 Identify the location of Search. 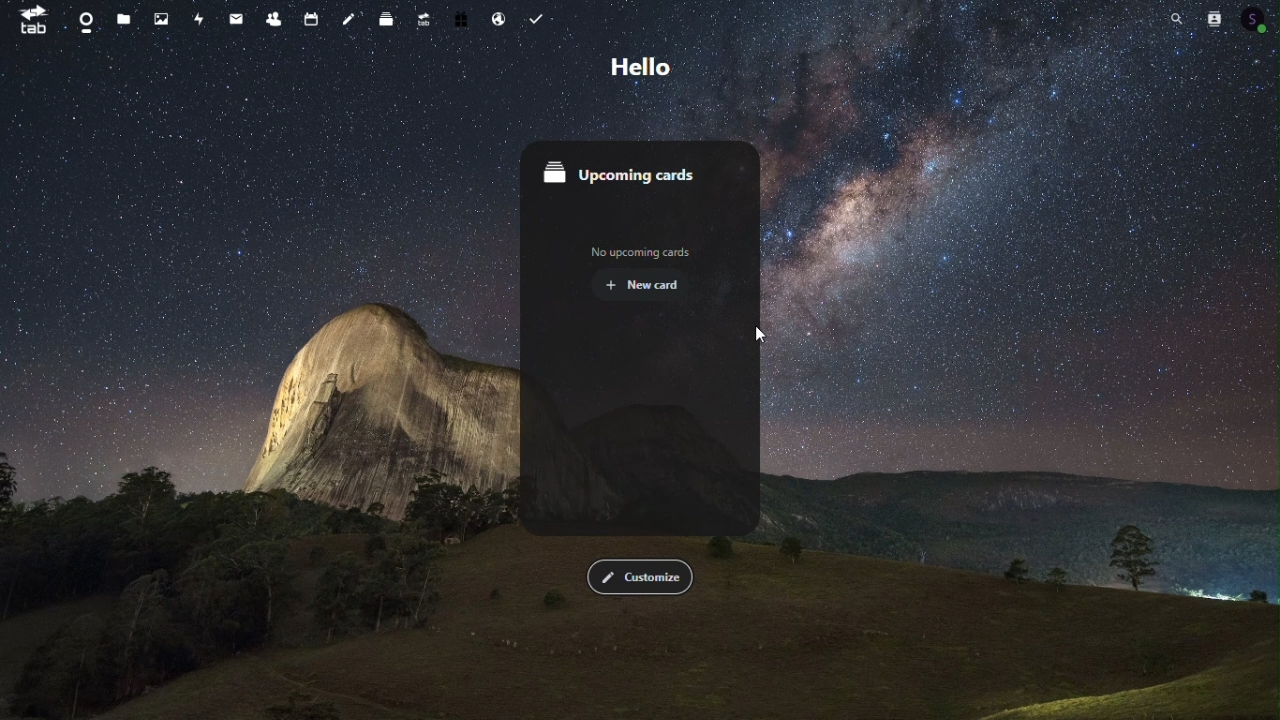
(1177, 19).